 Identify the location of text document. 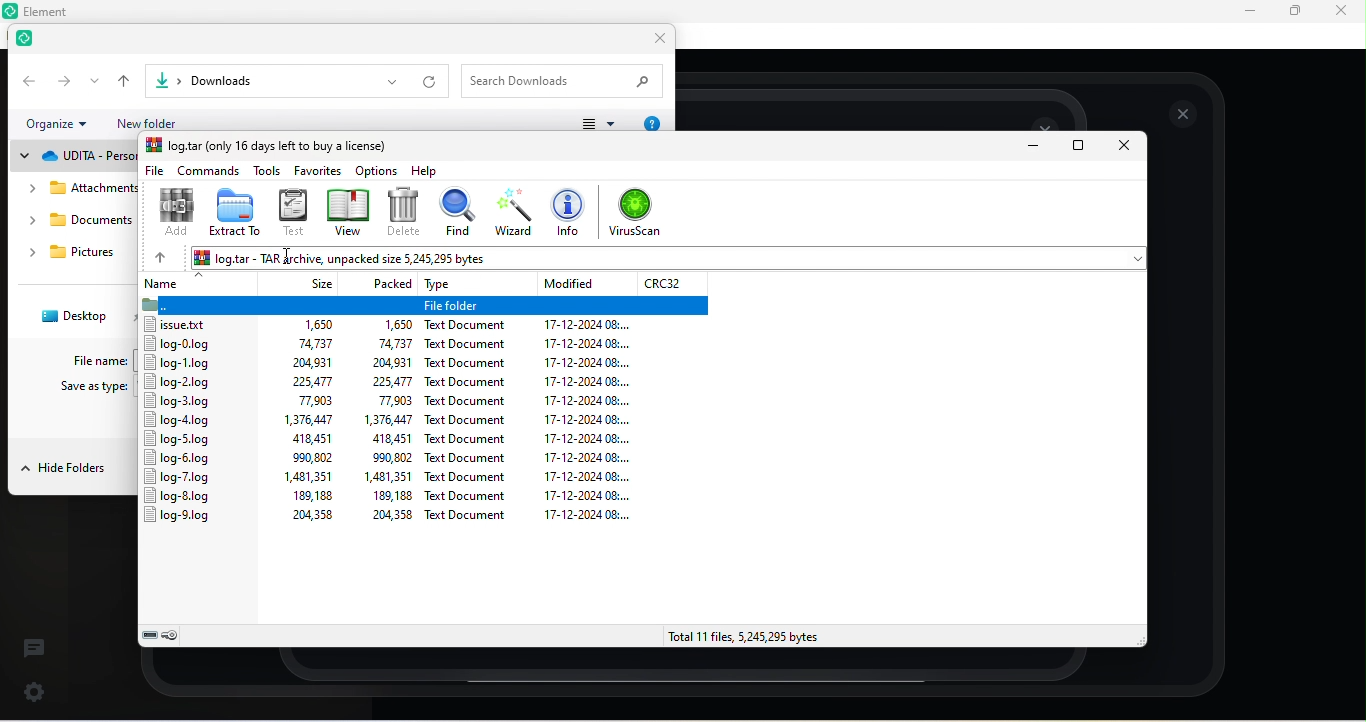
(464, 343).